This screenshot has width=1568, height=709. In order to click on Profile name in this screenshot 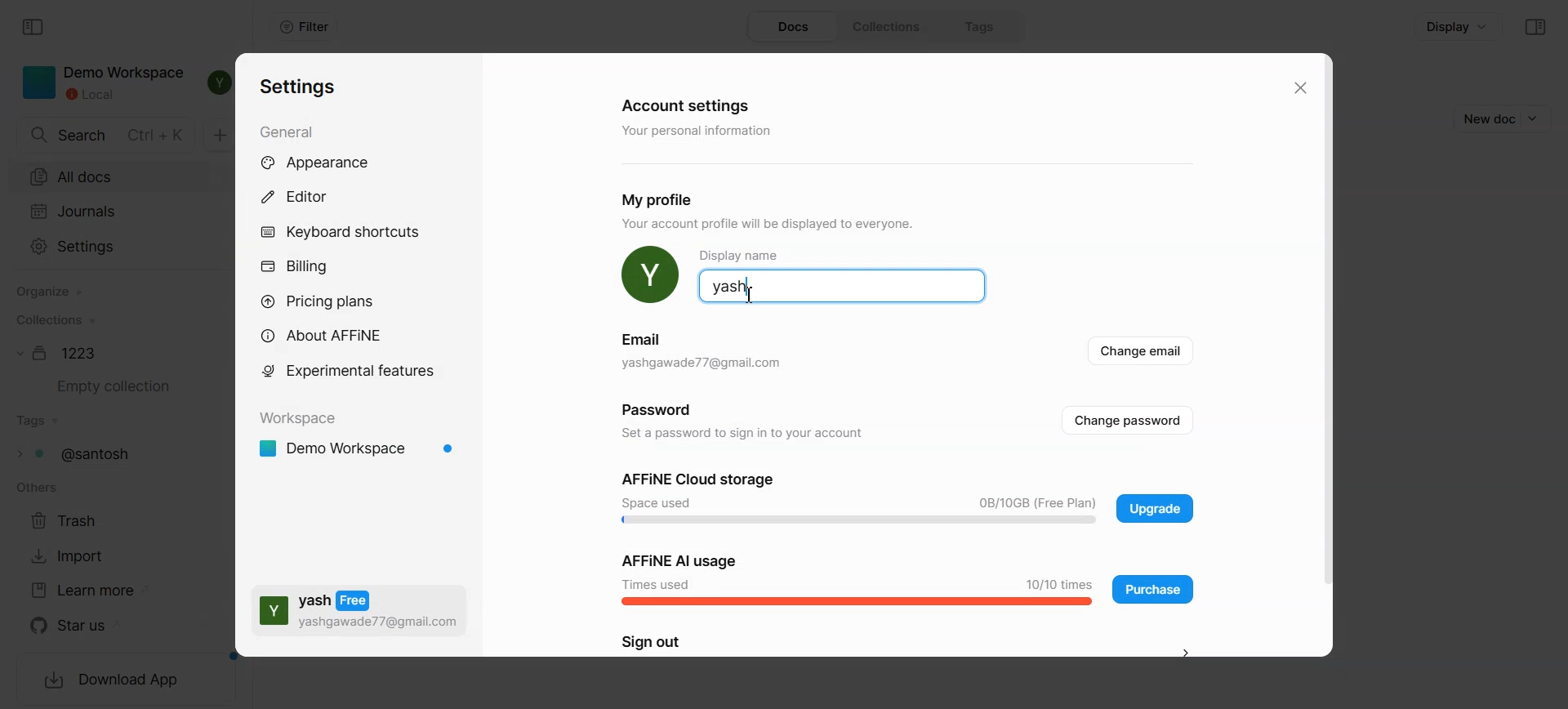, I will do `click(844, 276)`.